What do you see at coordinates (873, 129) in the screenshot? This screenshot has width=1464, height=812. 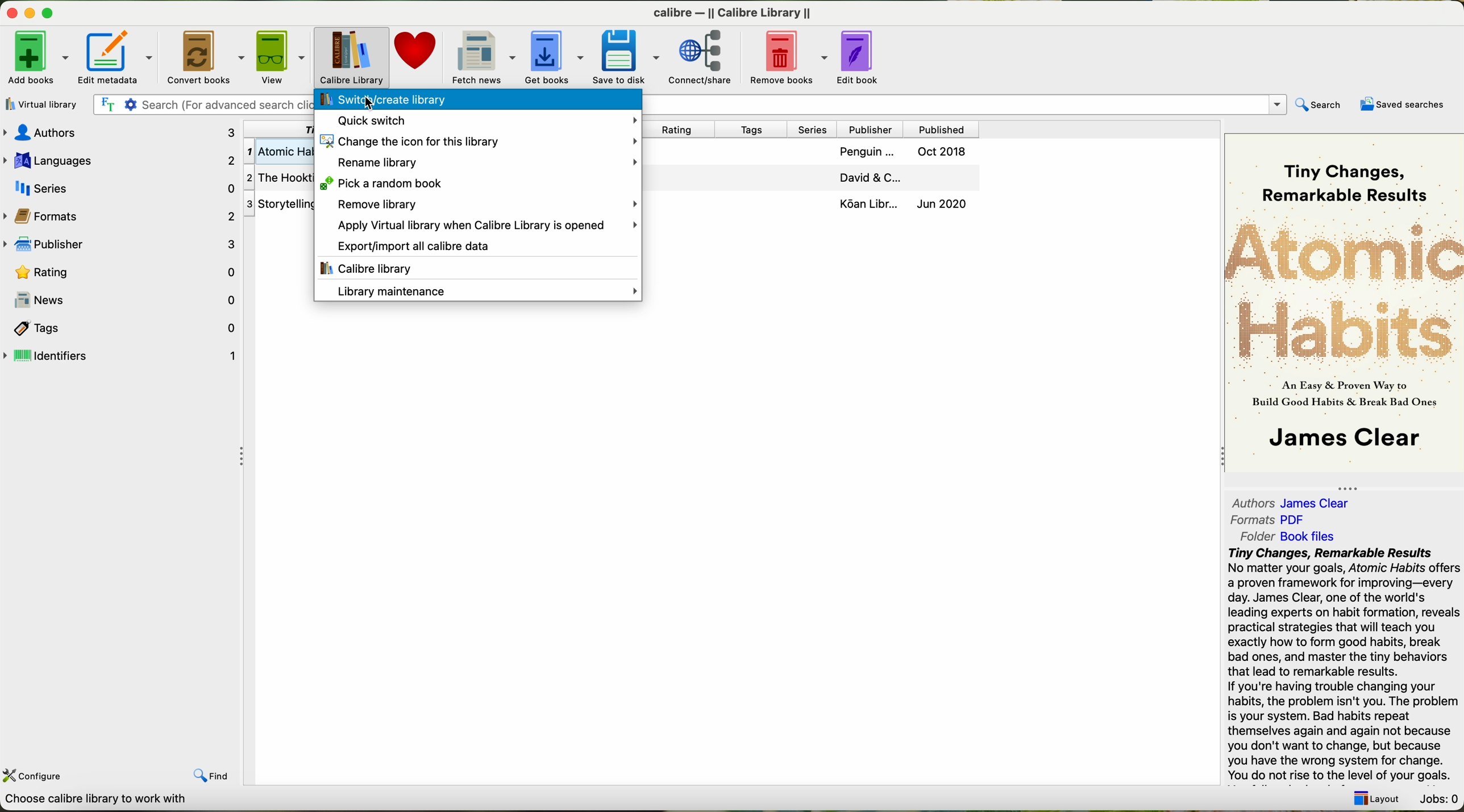 I see `publisher` at bounding box center [873, 129].